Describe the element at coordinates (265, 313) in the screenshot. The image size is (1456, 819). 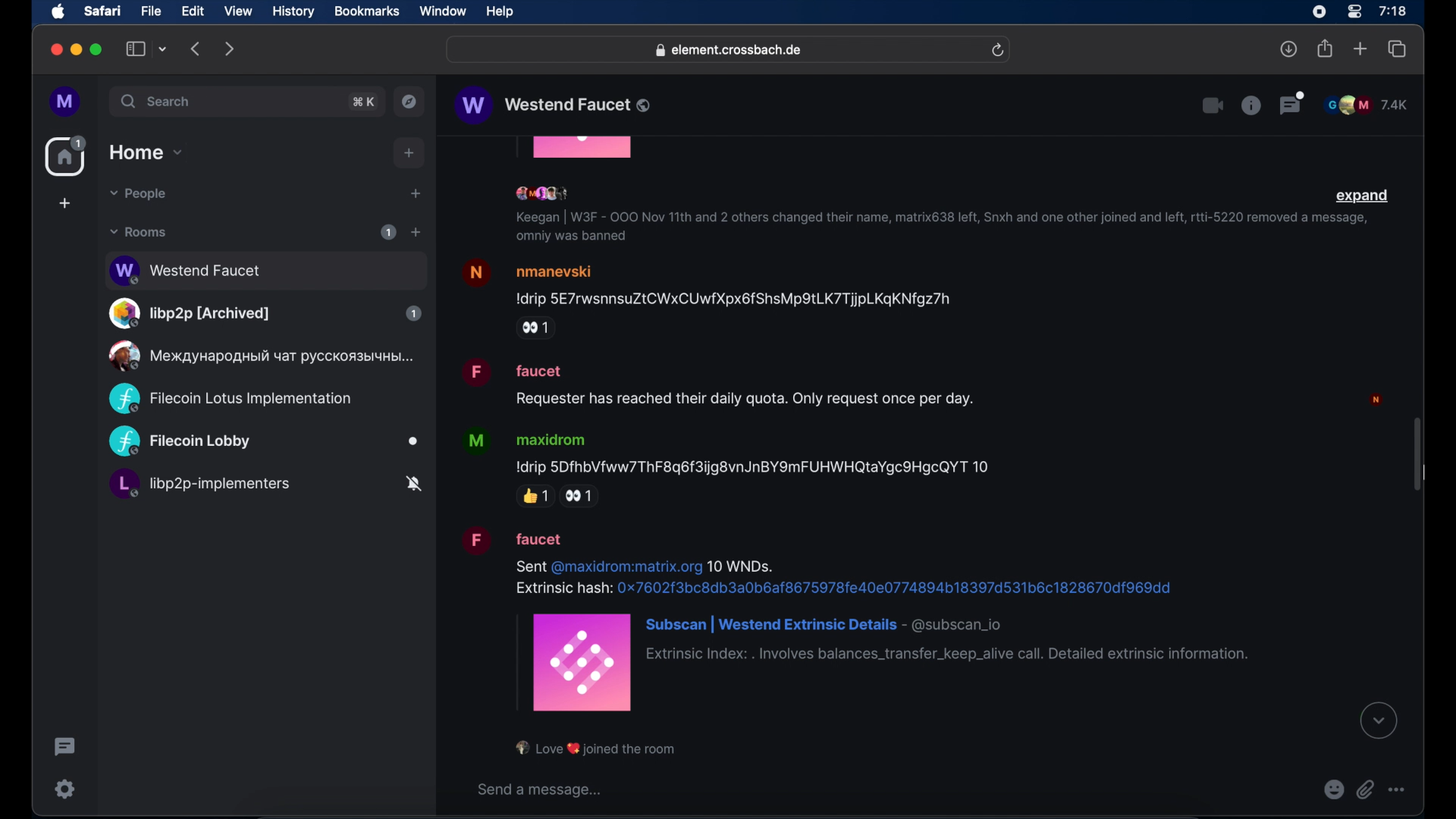
I see `public room` at that location.